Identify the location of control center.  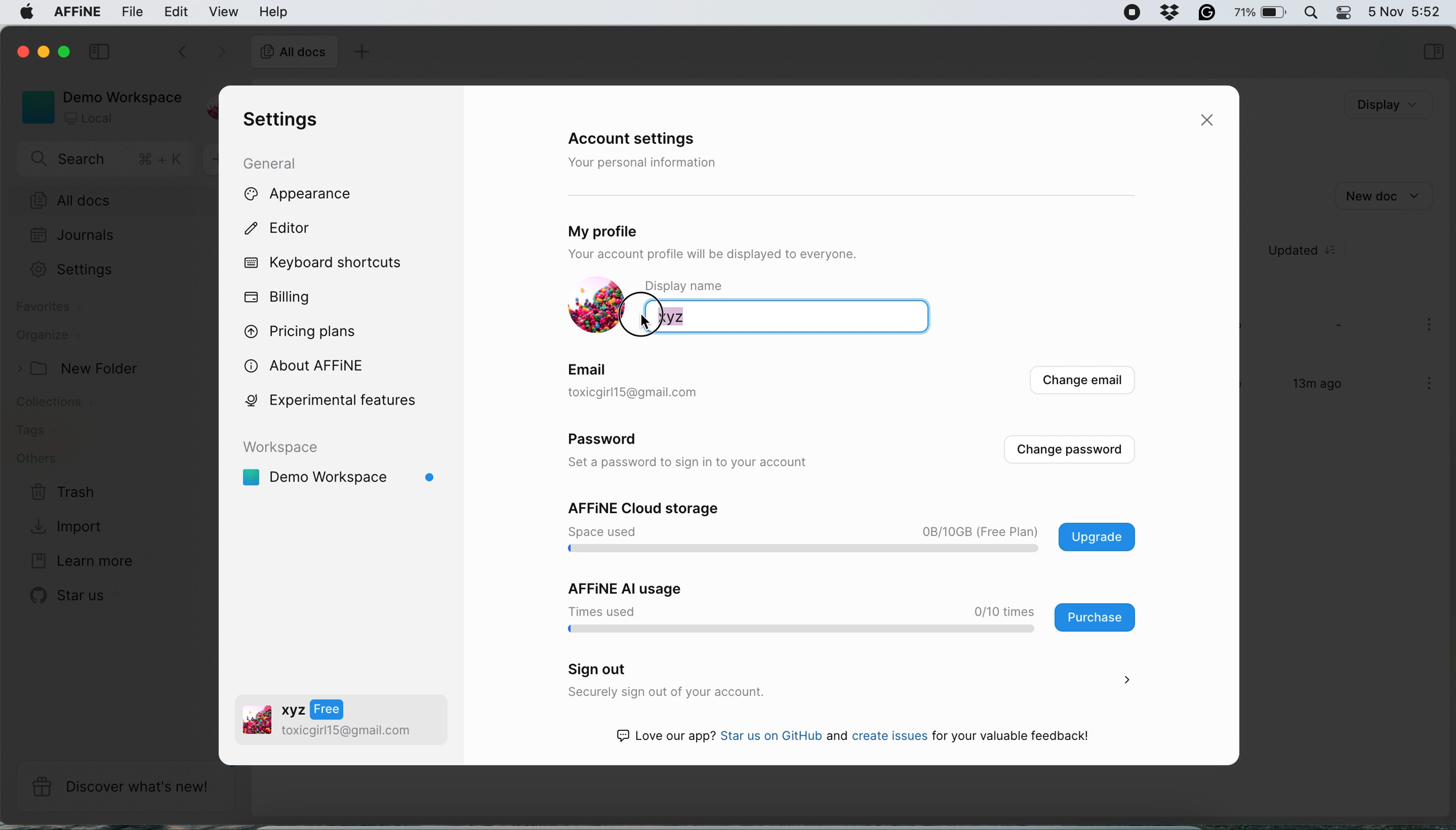
(1343, 13).